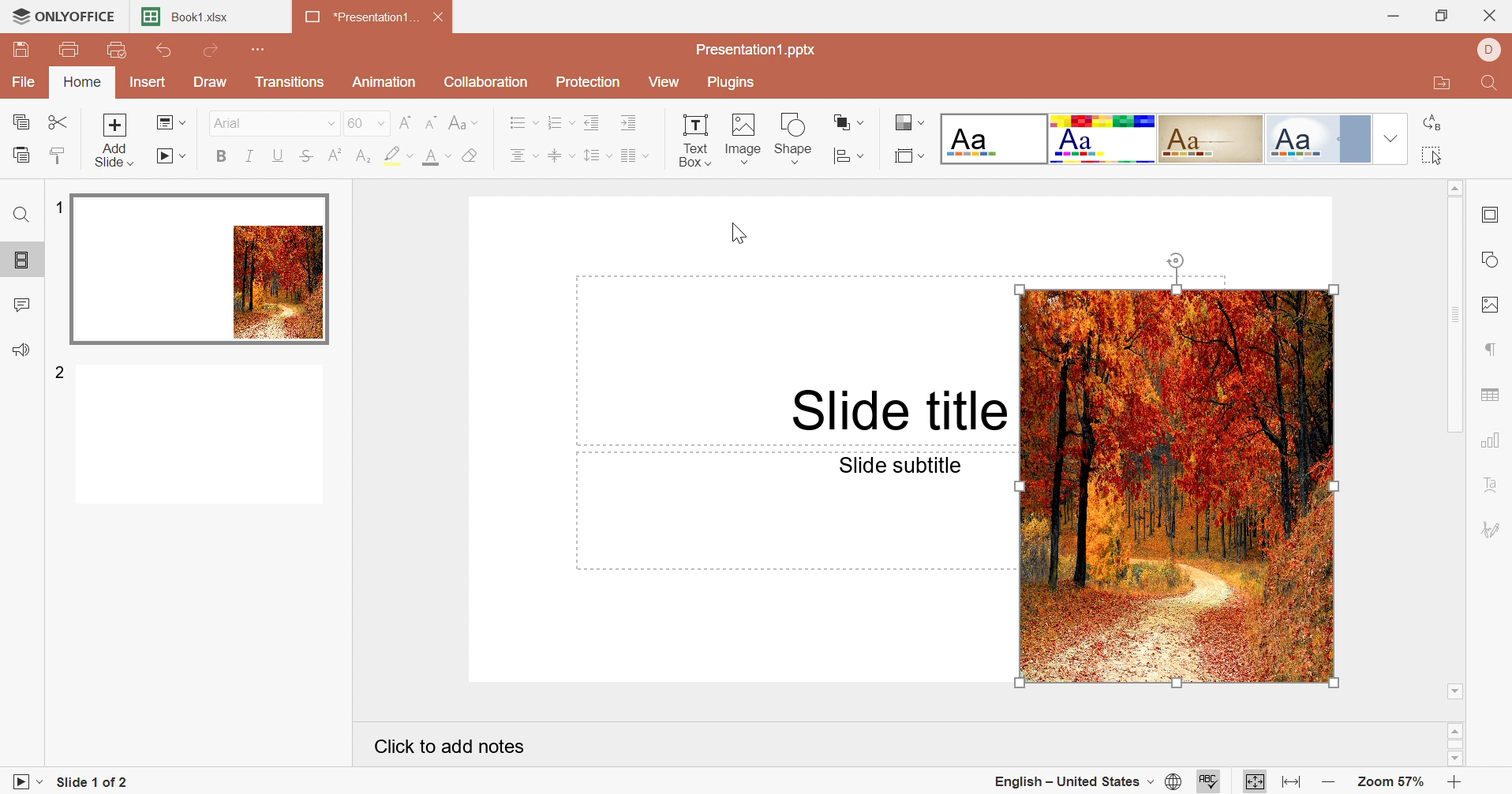 The width and height of the screenshot is (1512, 794). What do you see at coordinates (1439, 17) in the screenshot?
I see `Restore Down` at bounding box center [1439, 17].